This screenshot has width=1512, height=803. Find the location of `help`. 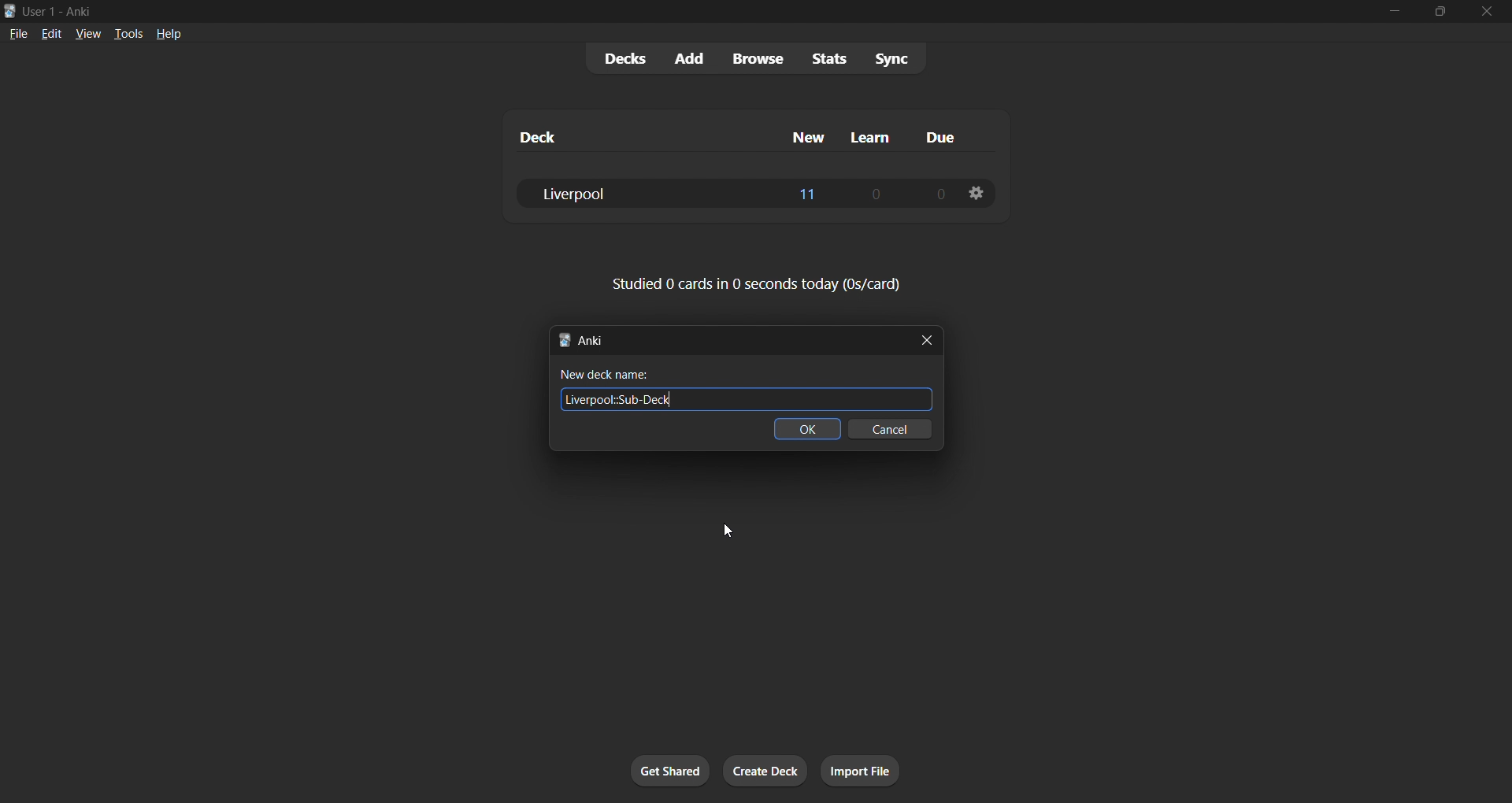

help is located at coordinates (172, 34).